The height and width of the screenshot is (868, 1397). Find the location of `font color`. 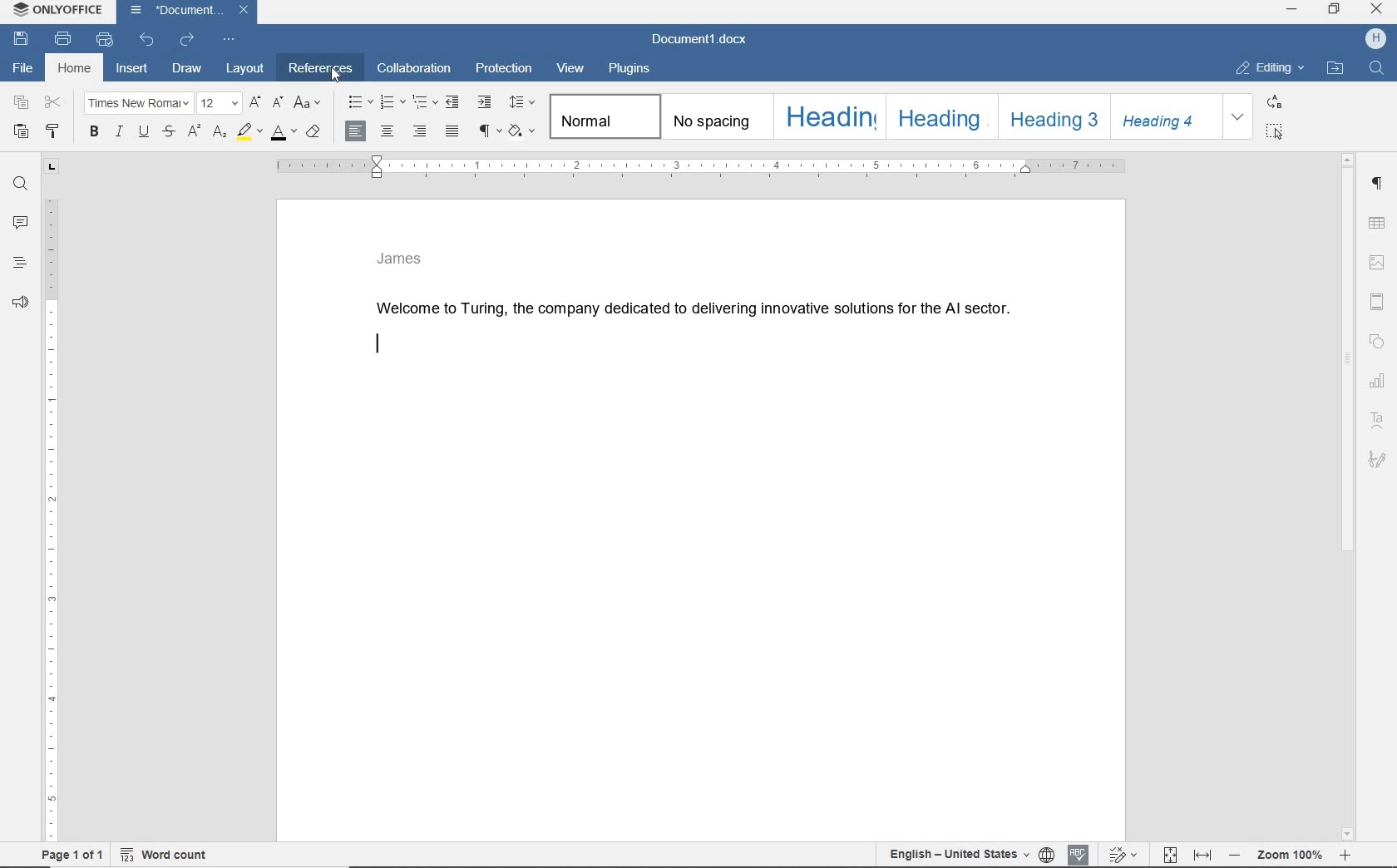

font color is located at coordinates (284, 133).